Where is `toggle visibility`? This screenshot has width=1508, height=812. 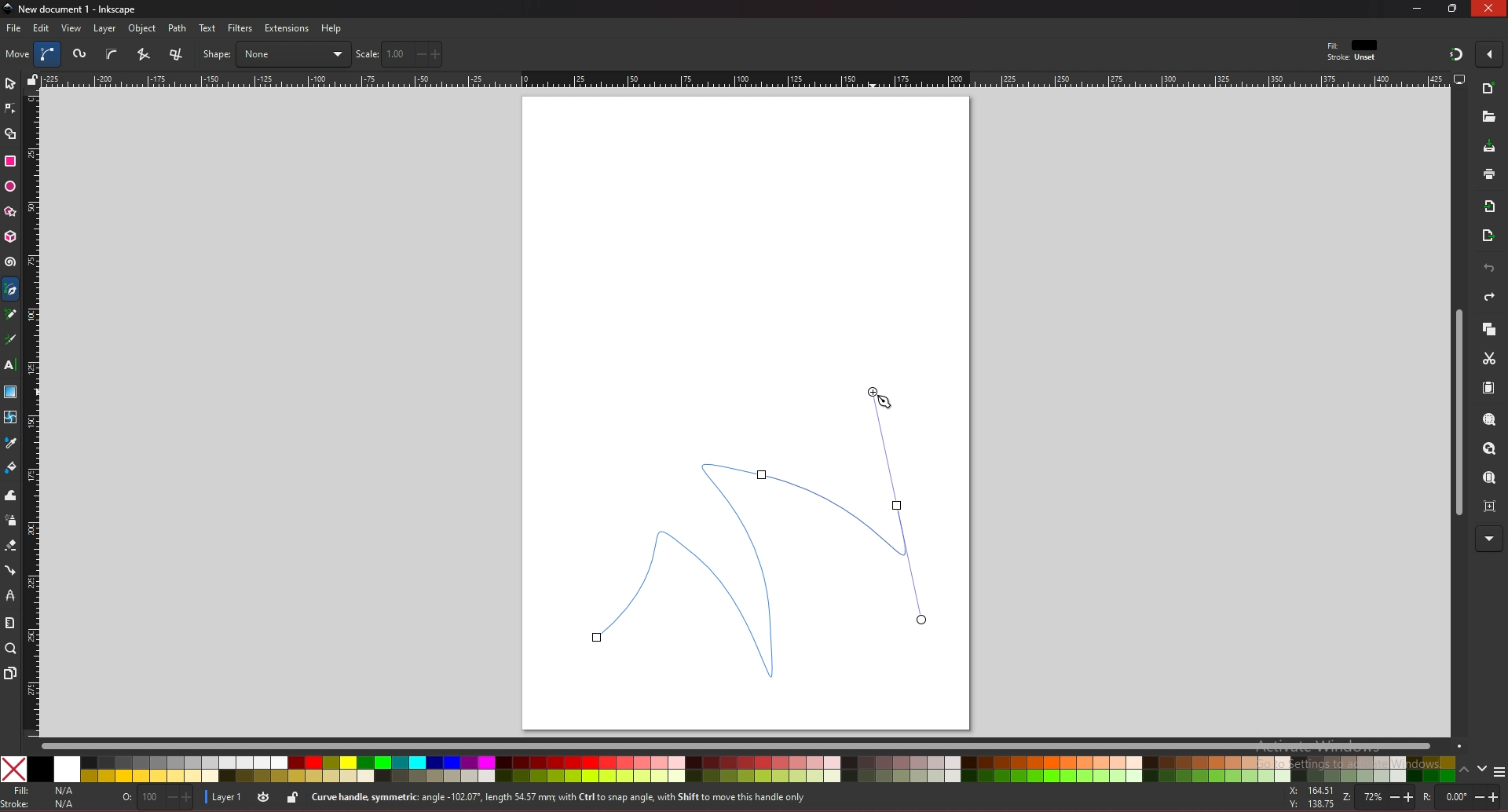 toggle visibility is located at coordinates (265, 797).